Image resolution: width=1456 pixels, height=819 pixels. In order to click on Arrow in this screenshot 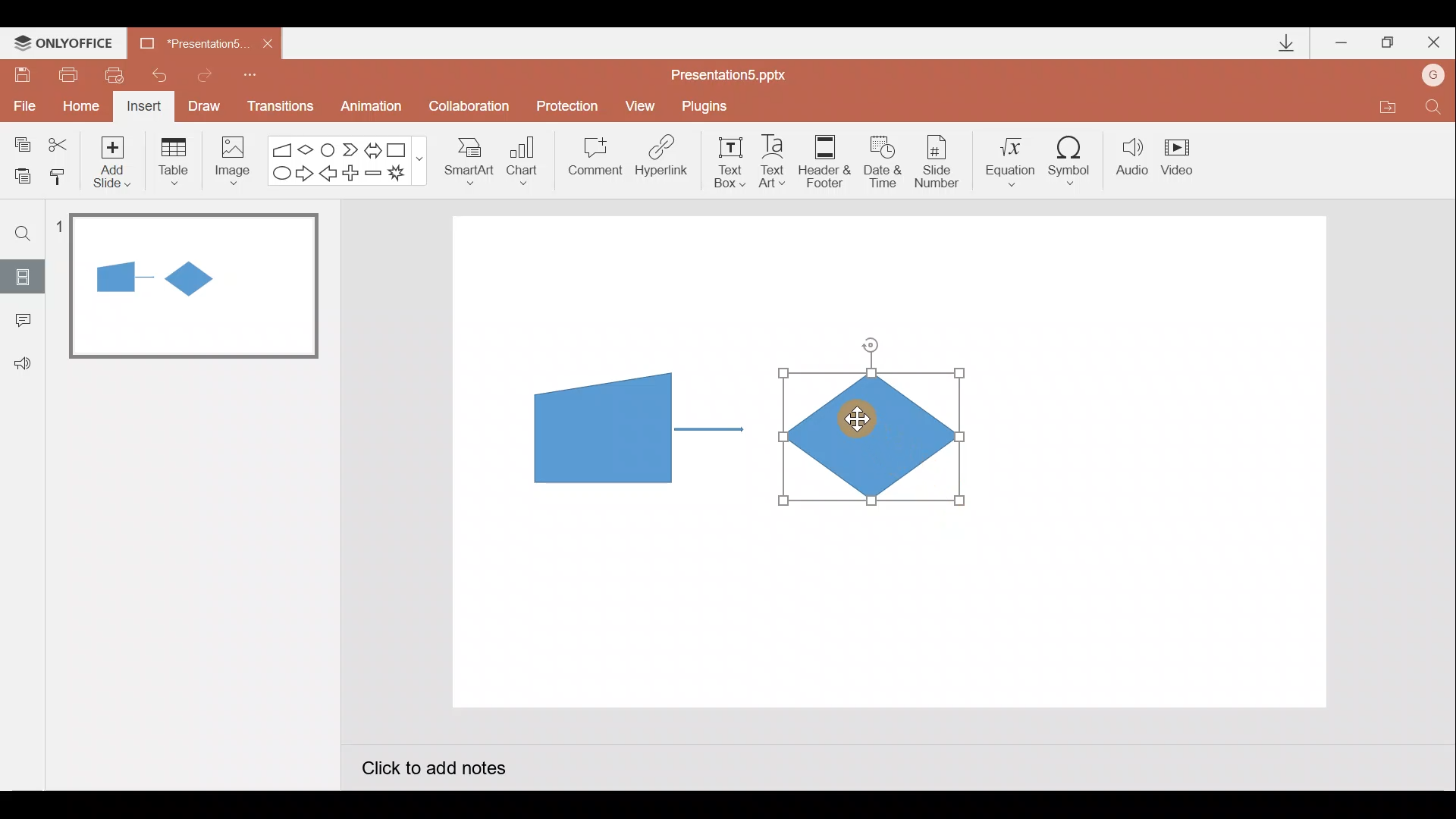, I will do `click(709, 429)`.